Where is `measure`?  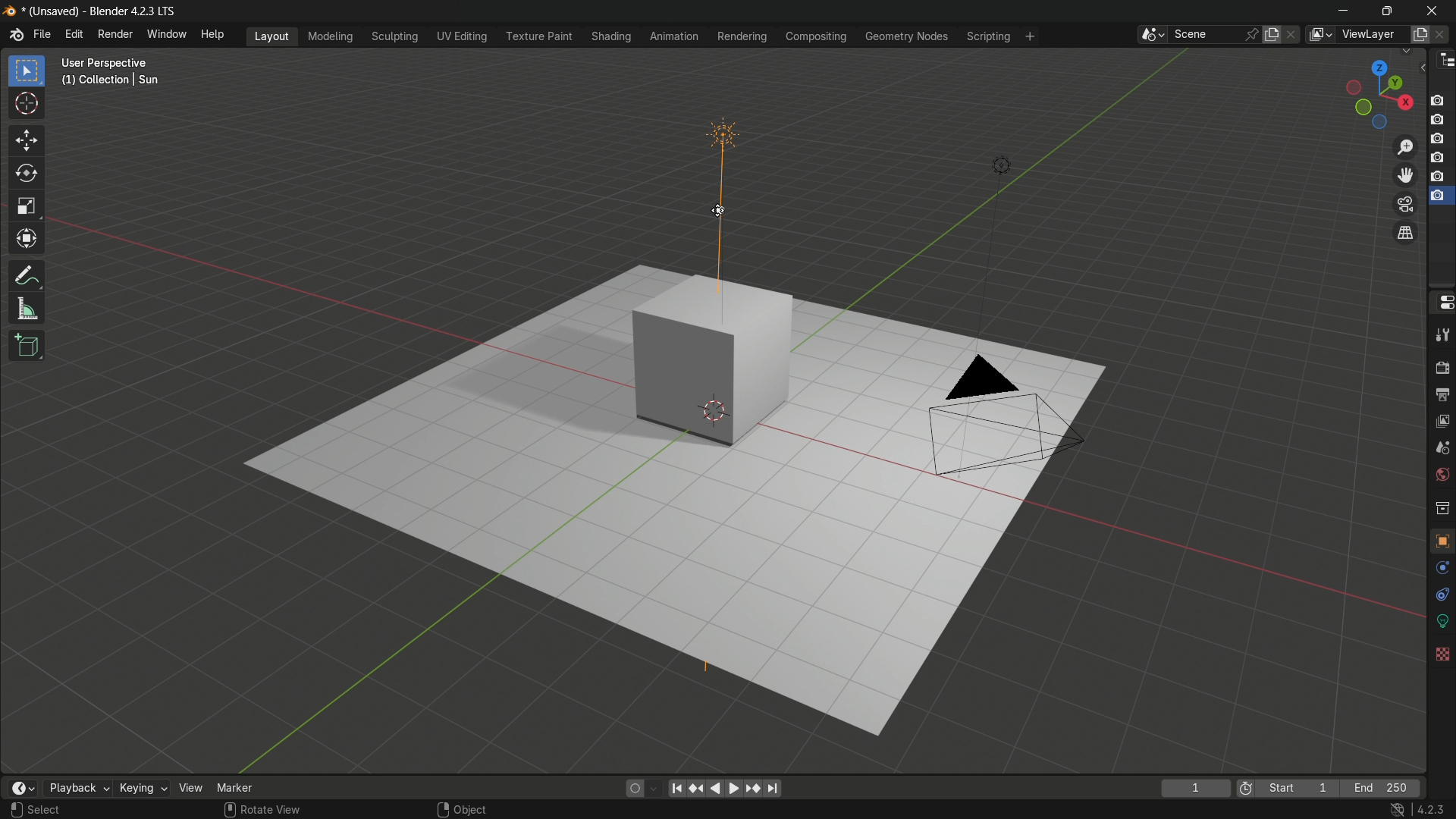
measure is located at coordinates (29, 310).